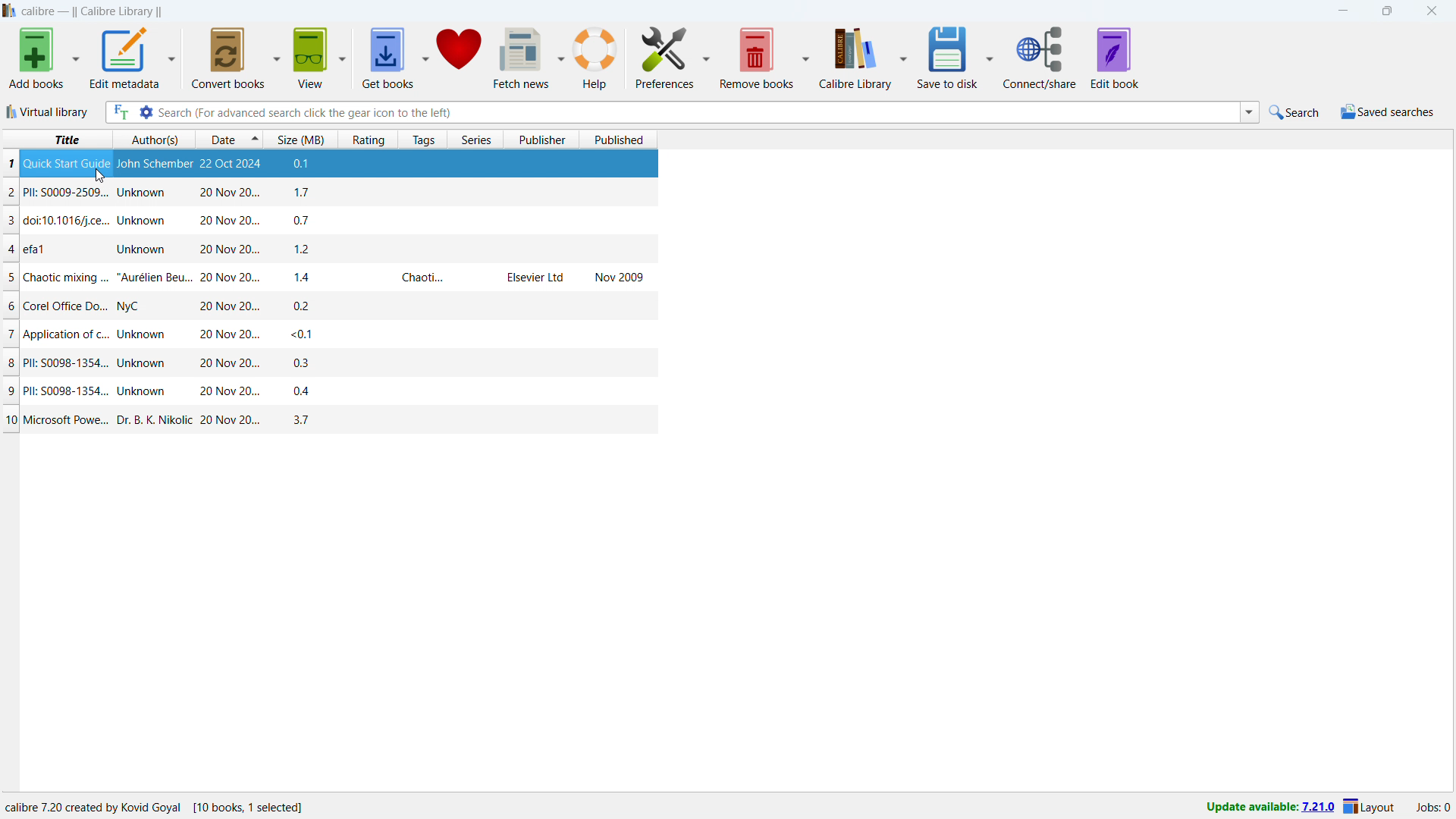 The image size is (1456, 819). Describe the element at coordinates (220, 139) in the screenshot. I see `sort by date` at that location.